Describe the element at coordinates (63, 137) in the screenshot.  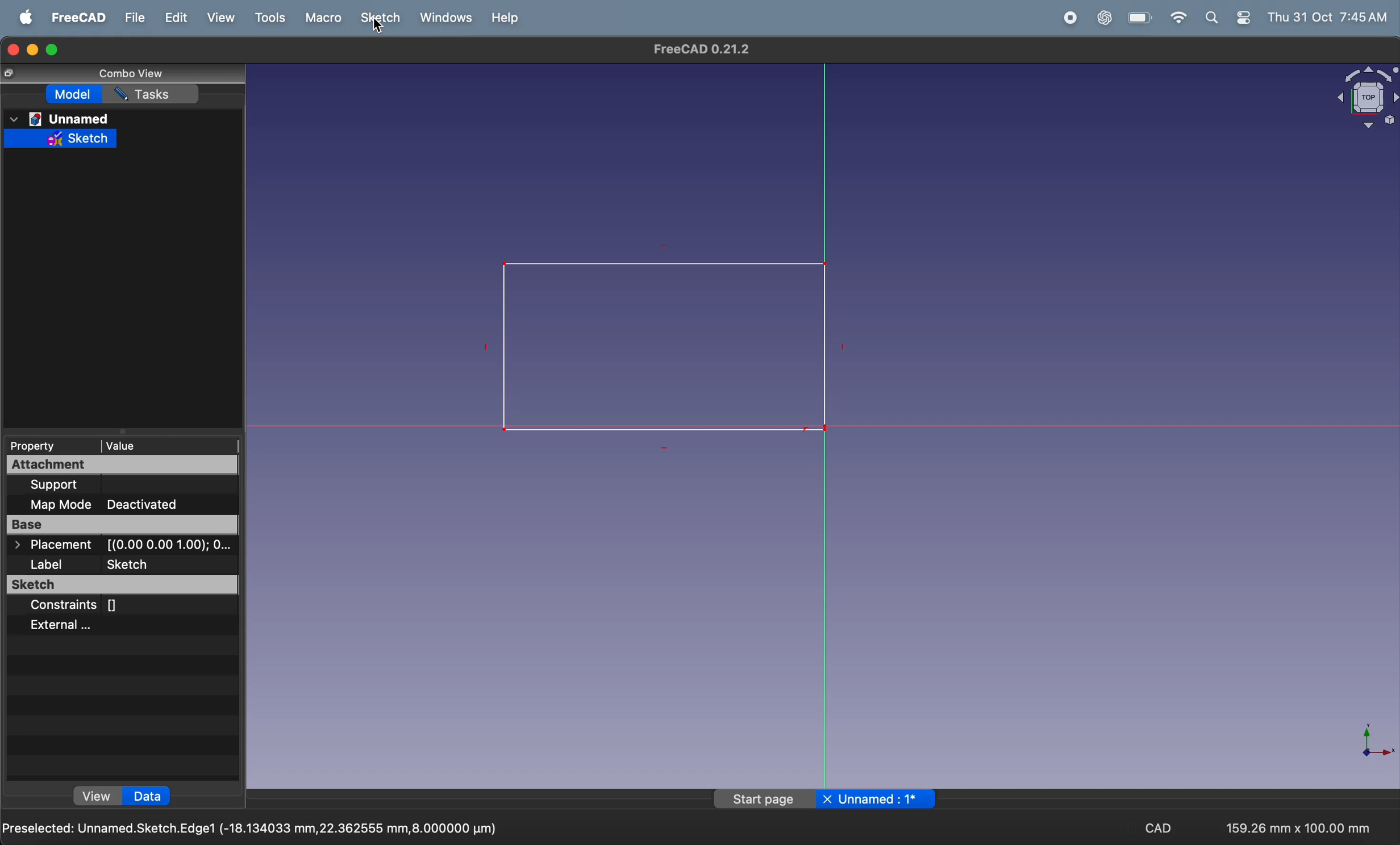
I see `sketch` at that location.